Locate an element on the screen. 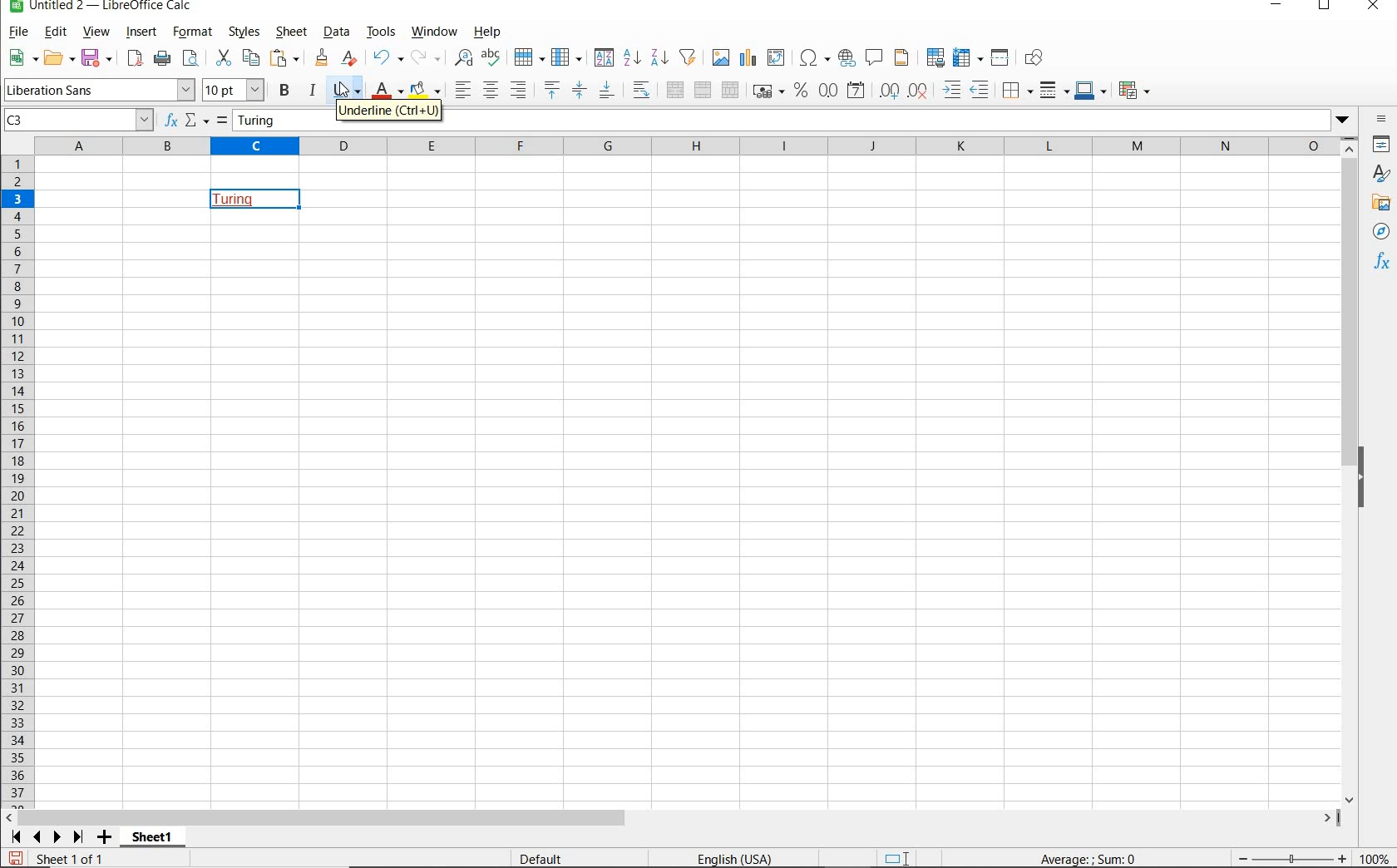 This screenshot has height=868, width=1397. HIDE is located at coordinates (1365, 481).